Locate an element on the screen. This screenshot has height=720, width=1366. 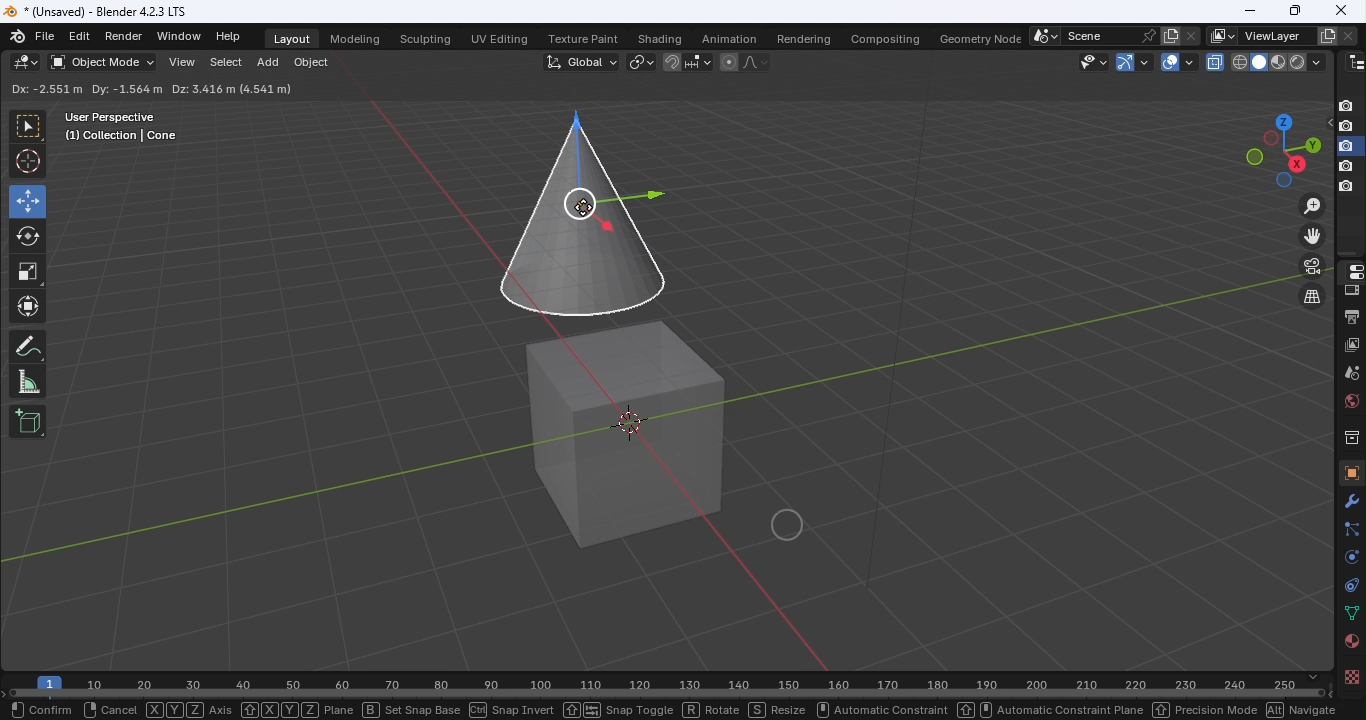
shading is located at coordinates (1315, 61).